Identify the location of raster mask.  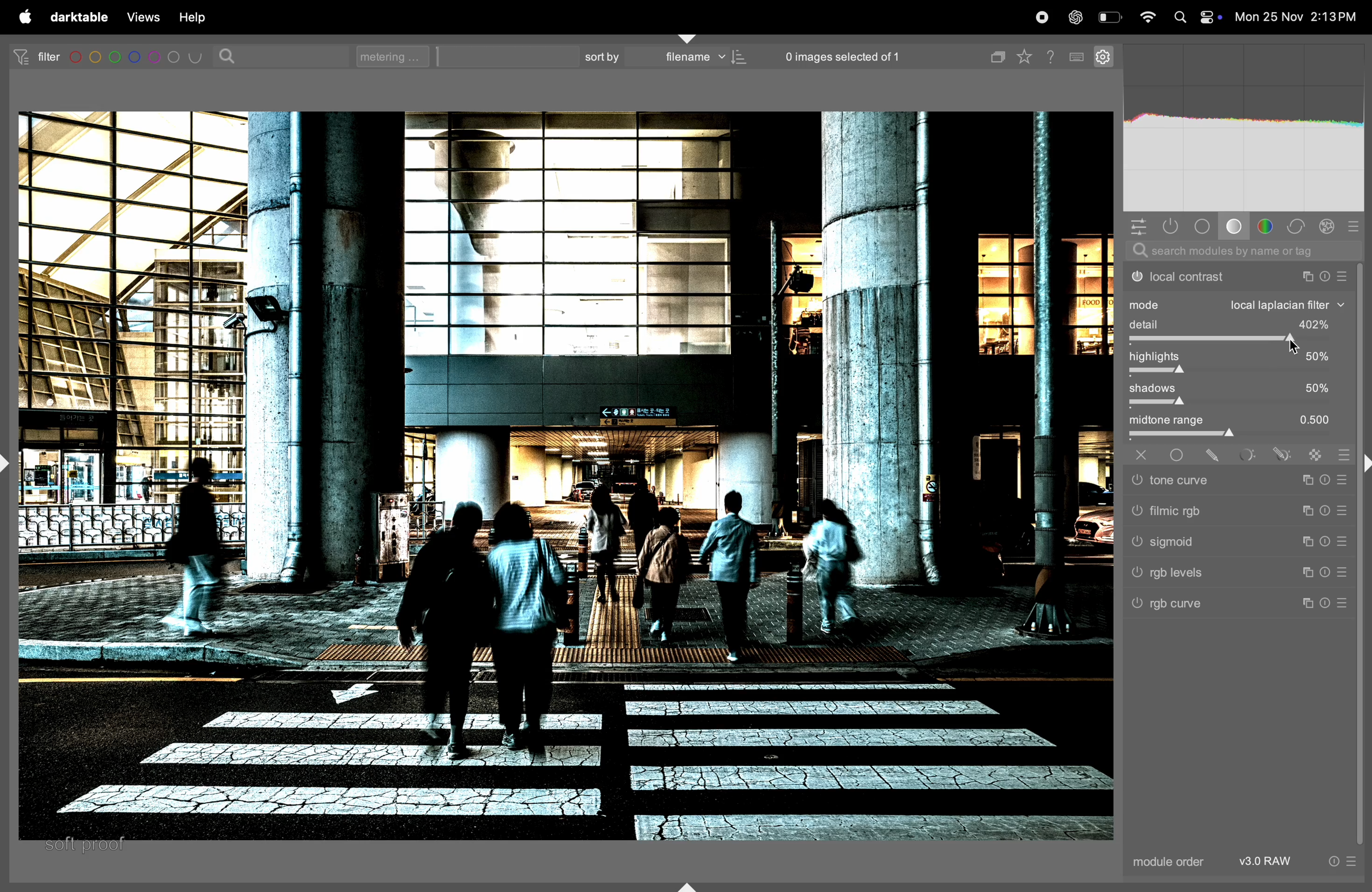
(1318, 454).